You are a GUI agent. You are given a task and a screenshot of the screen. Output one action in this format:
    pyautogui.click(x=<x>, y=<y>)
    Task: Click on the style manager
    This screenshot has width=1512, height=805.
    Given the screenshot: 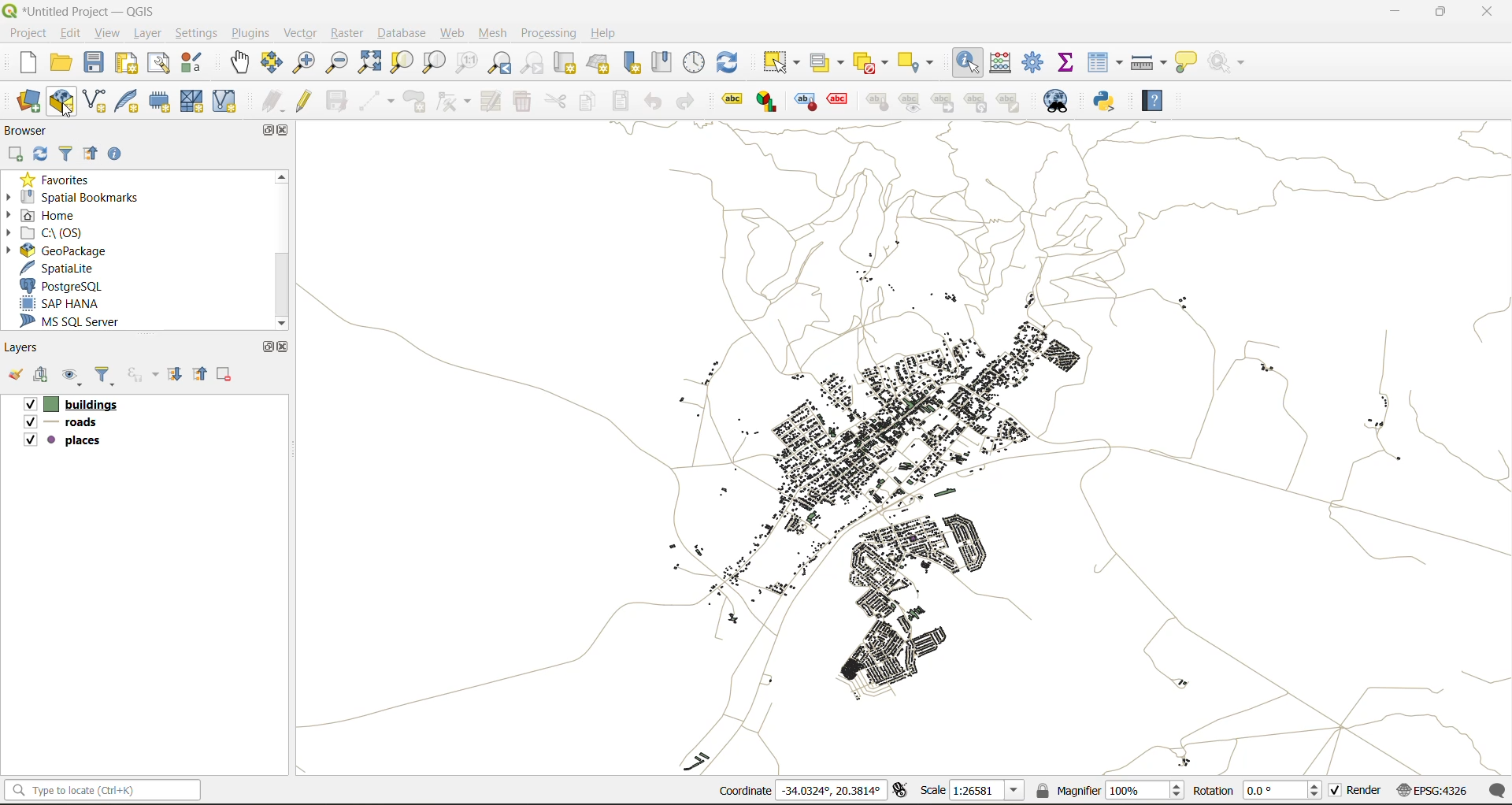 What is the action you would take?
    pyautogui.click(x=194, y=63)
    